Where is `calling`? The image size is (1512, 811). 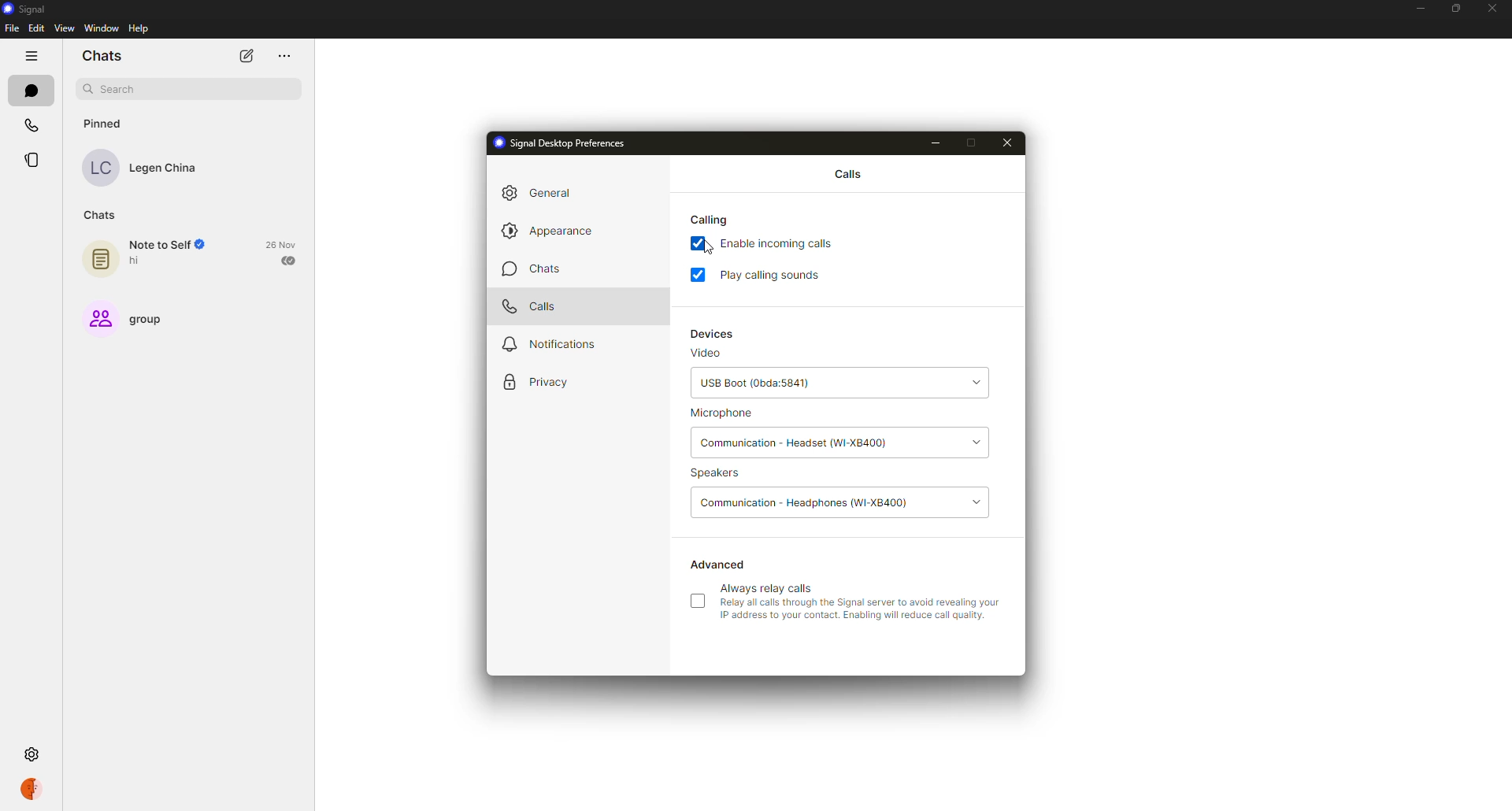 calling is located at coordinates (712, 220).